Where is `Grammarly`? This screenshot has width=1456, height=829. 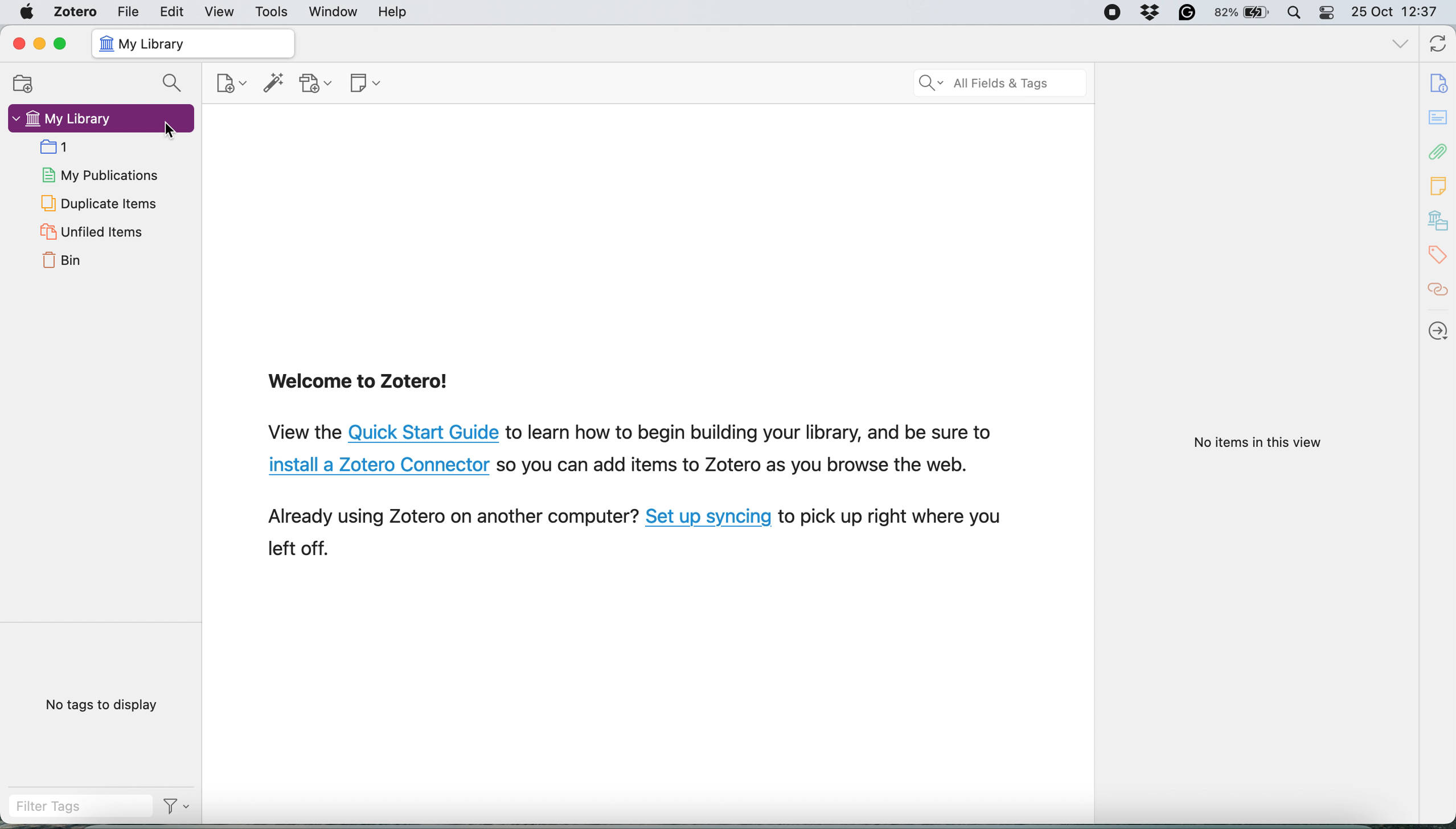 Grammarly is located at coordinates (1185, 12).